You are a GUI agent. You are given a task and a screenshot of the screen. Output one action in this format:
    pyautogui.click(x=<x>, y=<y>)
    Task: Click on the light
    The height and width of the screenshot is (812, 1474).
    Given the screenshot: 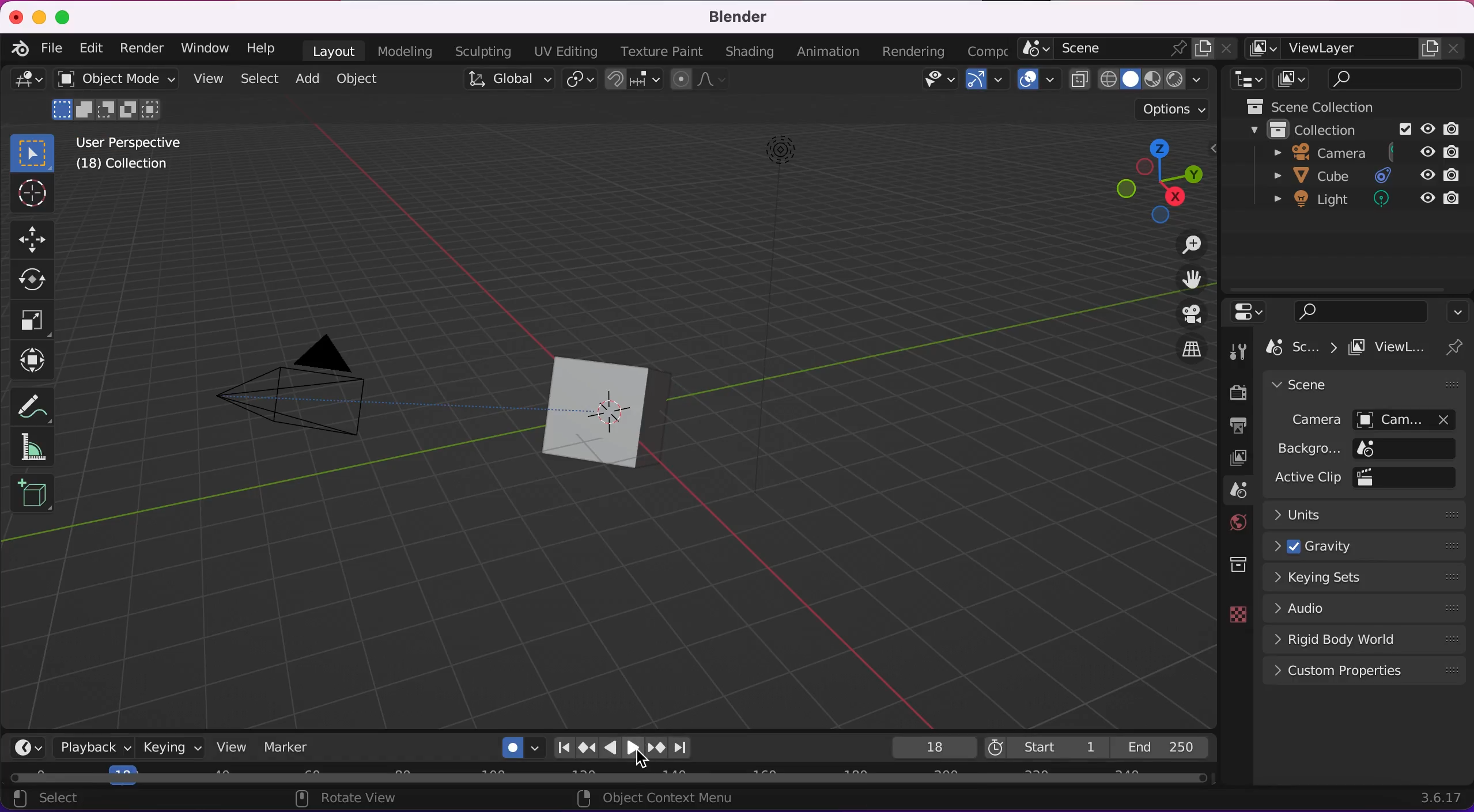 What is the action you would take?
    pyautogui.click(x=1354, y=204)
    